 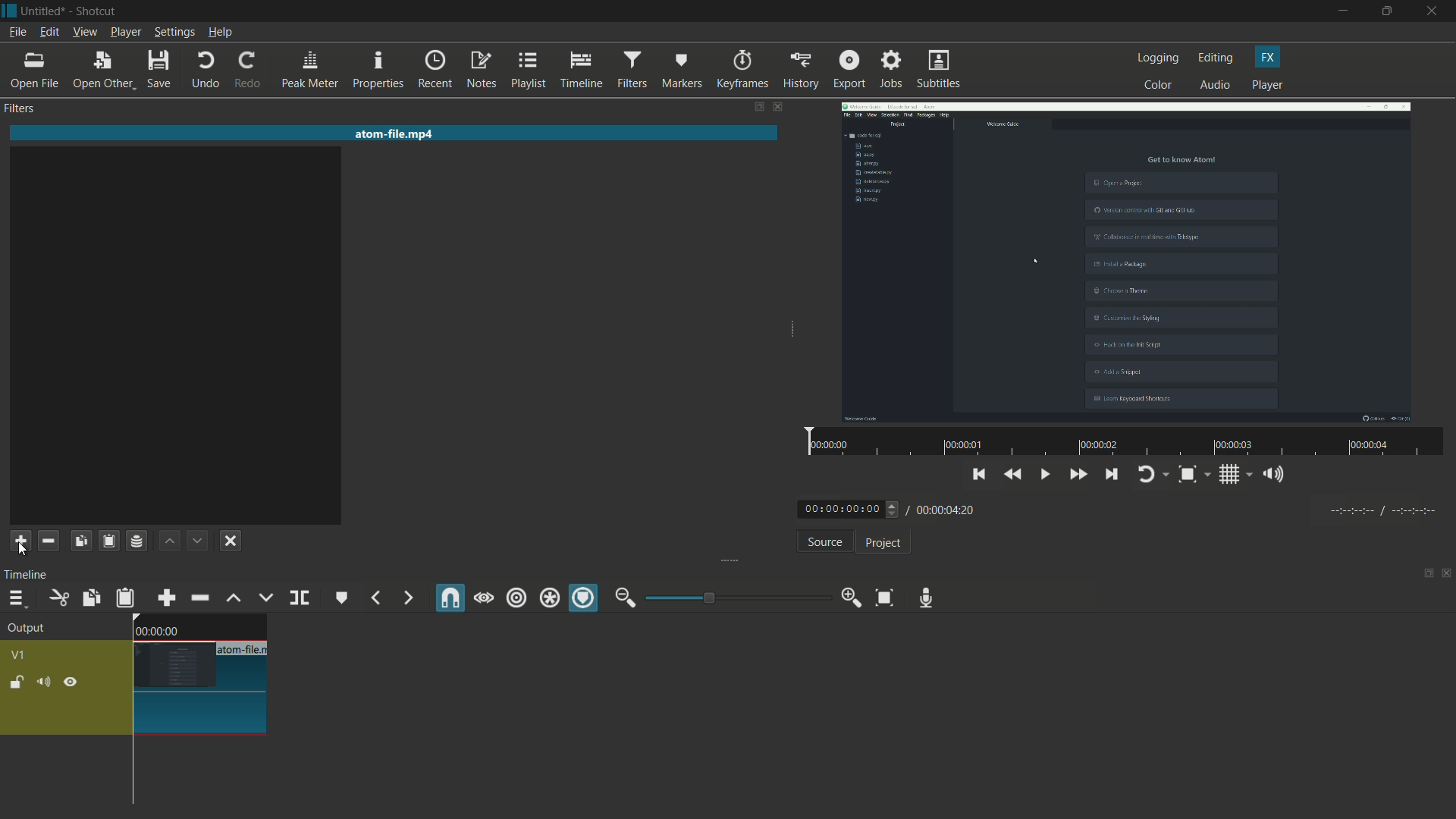 What do you see at coordinates (940, 71) in the screenshot?
I see `subtitles` at bounding box center [940, 71].